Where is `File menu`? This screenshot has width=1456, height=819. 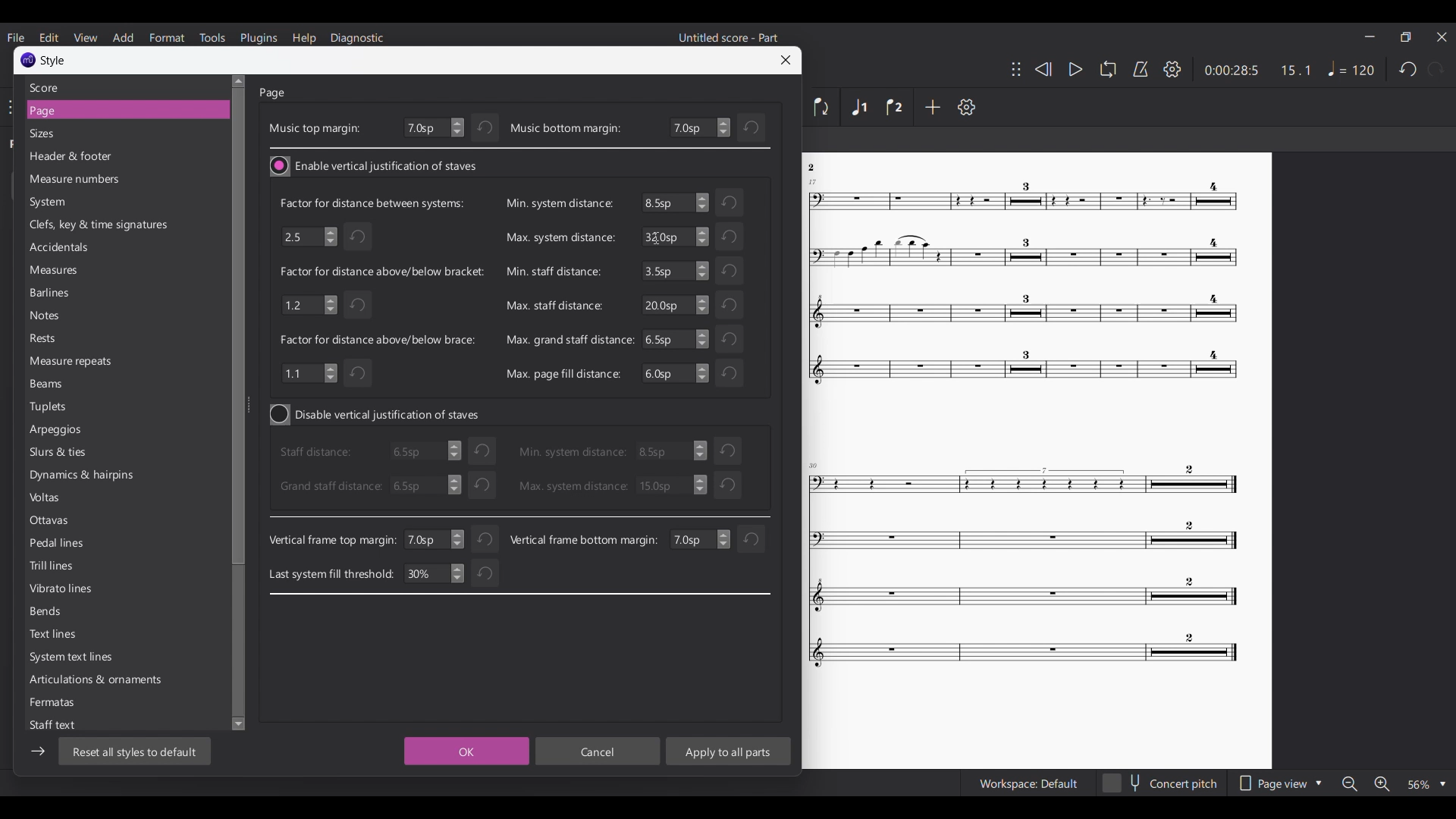
File menu is located at coordinates (15, 37).